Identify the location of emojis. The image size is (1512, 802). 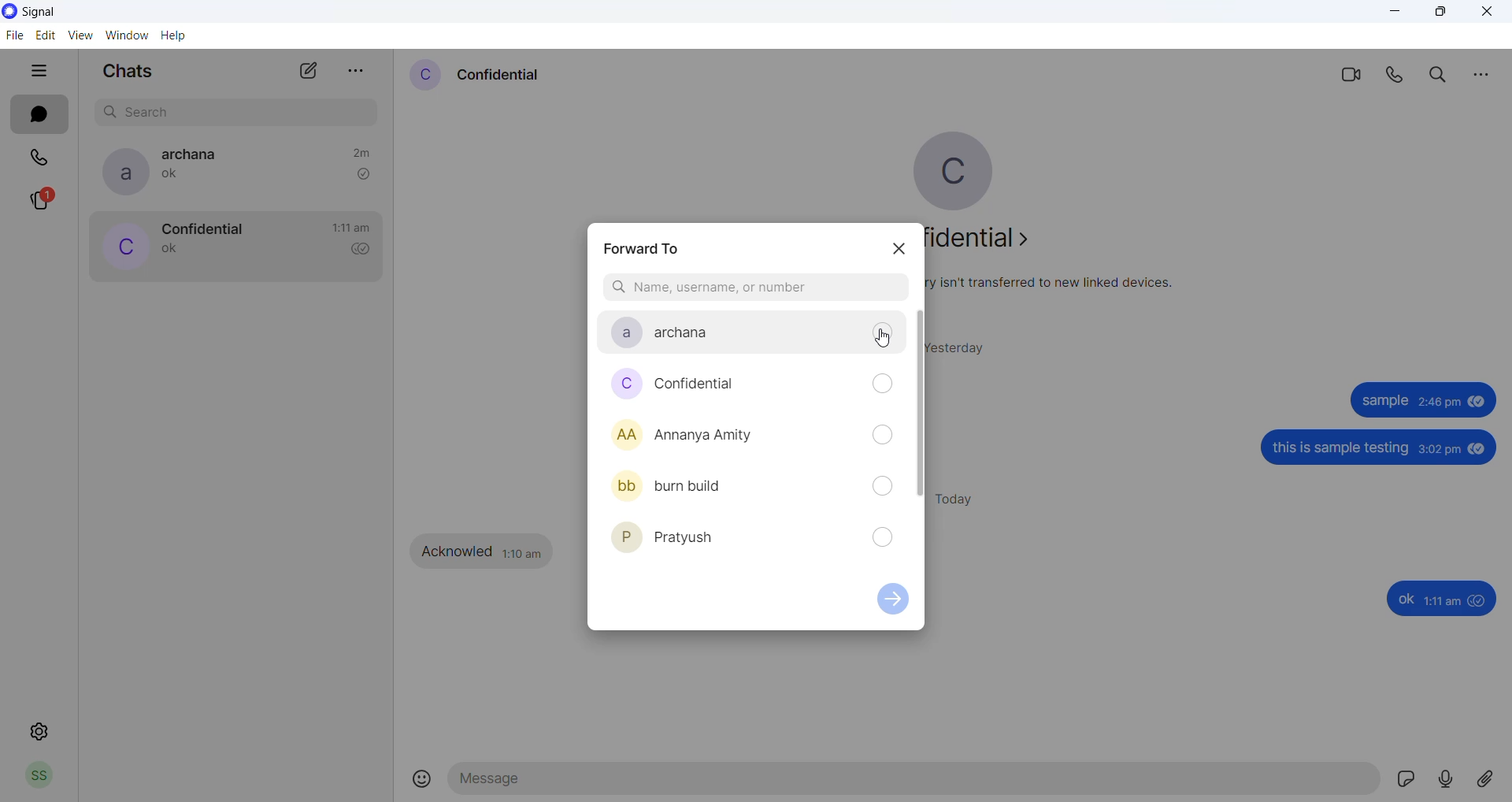
(423, 780).